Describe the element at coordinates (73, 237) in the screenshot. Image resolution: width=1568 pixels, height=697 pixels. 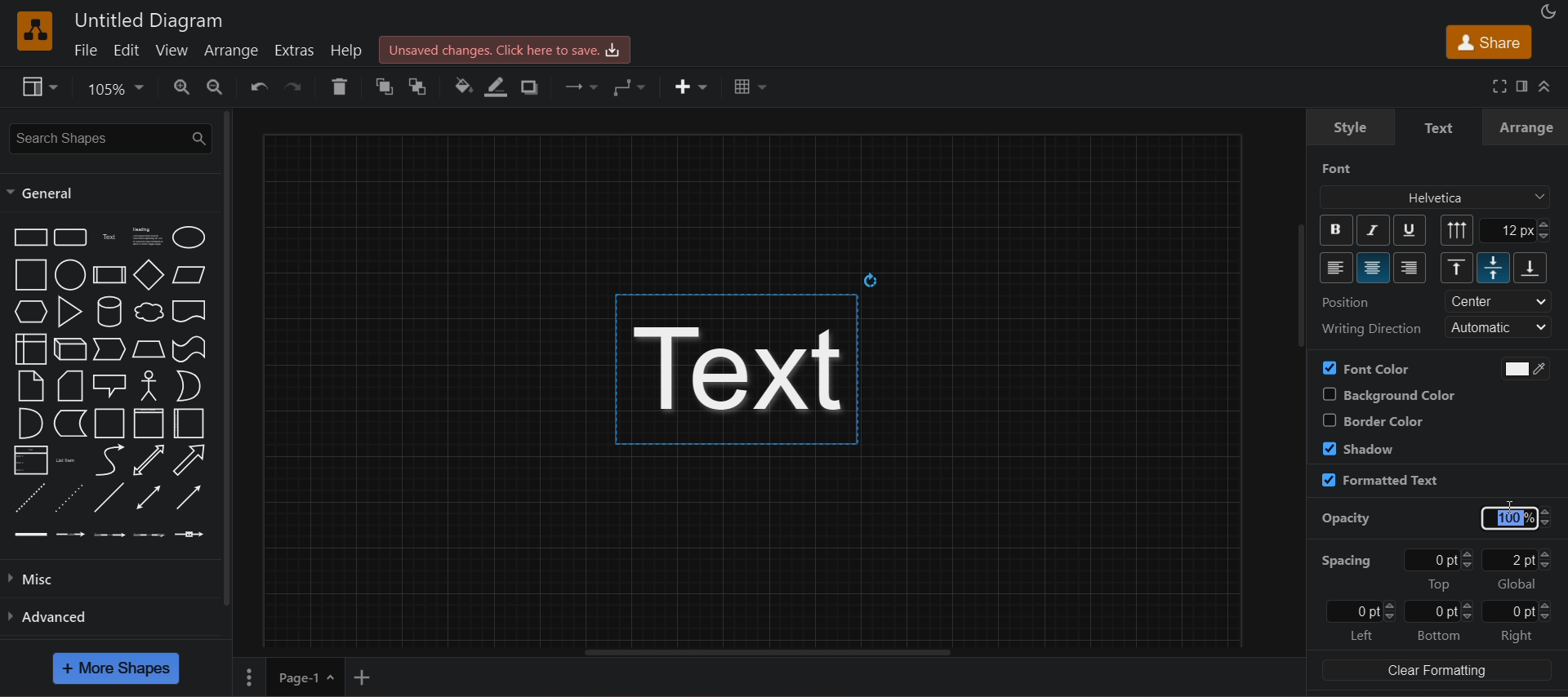
I see `rounded rectangle` at that location.